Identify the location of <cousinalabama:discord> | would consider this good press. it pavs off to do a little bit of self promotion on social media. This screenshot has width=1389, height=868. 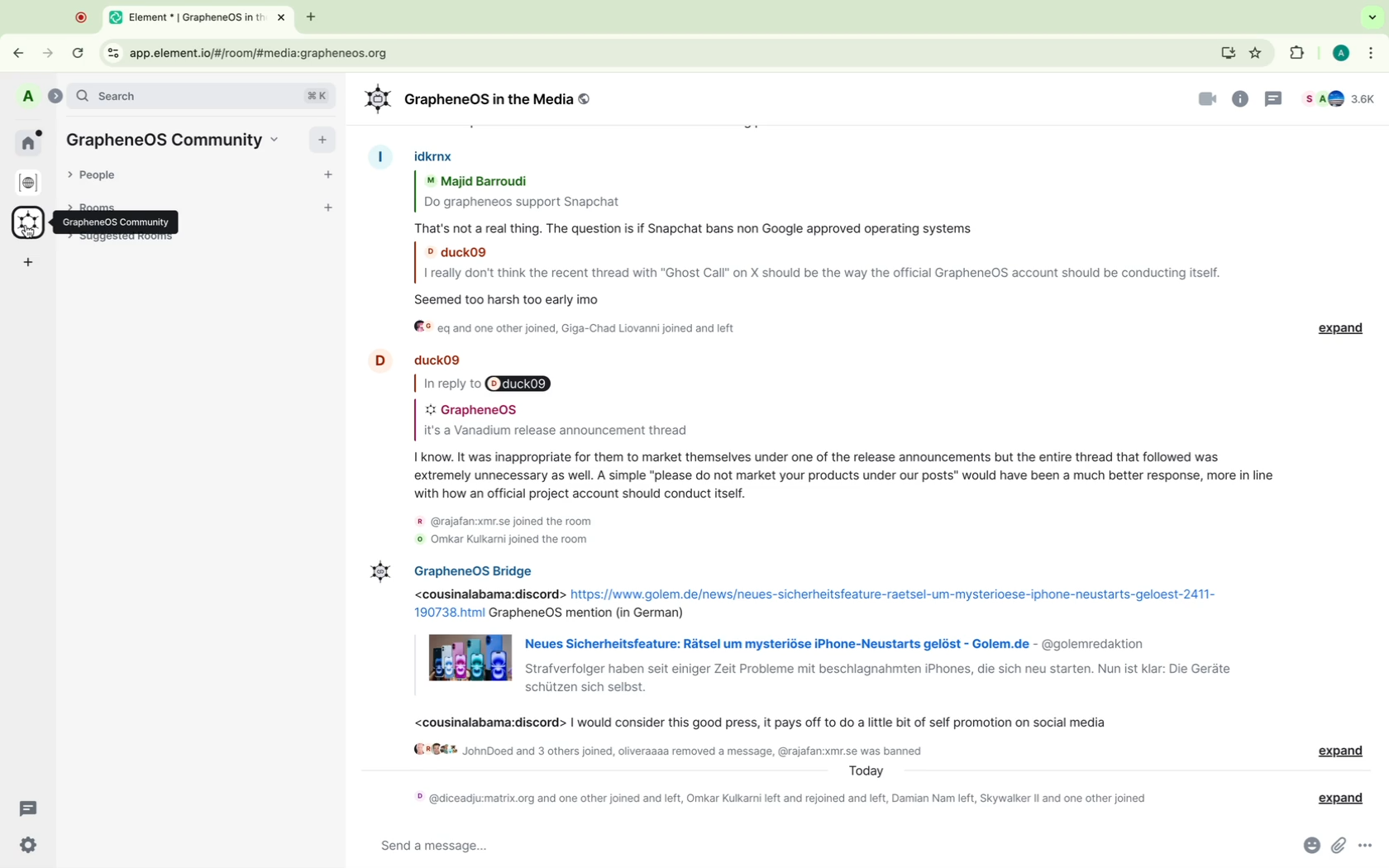
(764, 723).